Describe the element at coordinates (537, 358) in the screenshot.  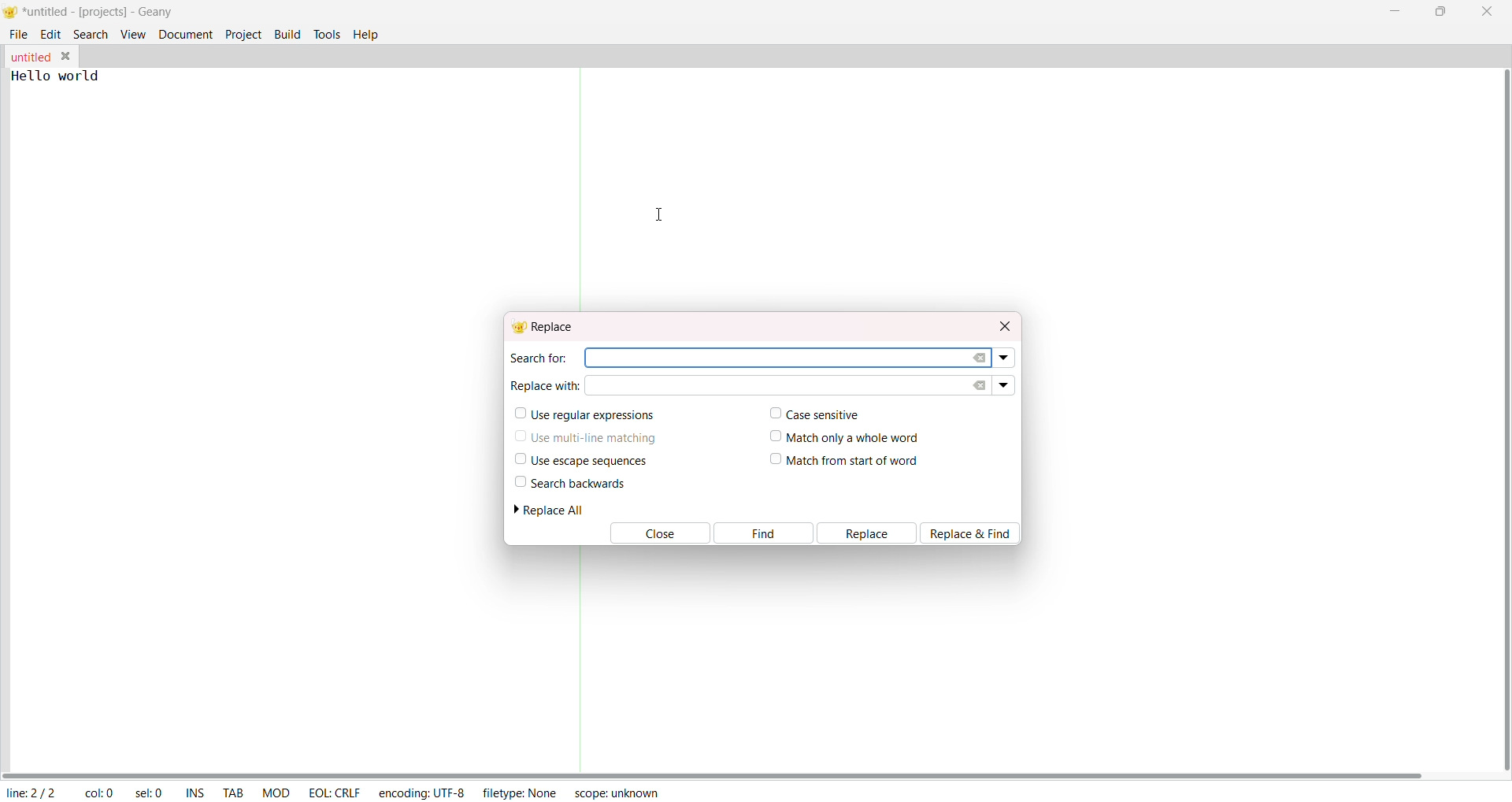
I see `search for` at that location.